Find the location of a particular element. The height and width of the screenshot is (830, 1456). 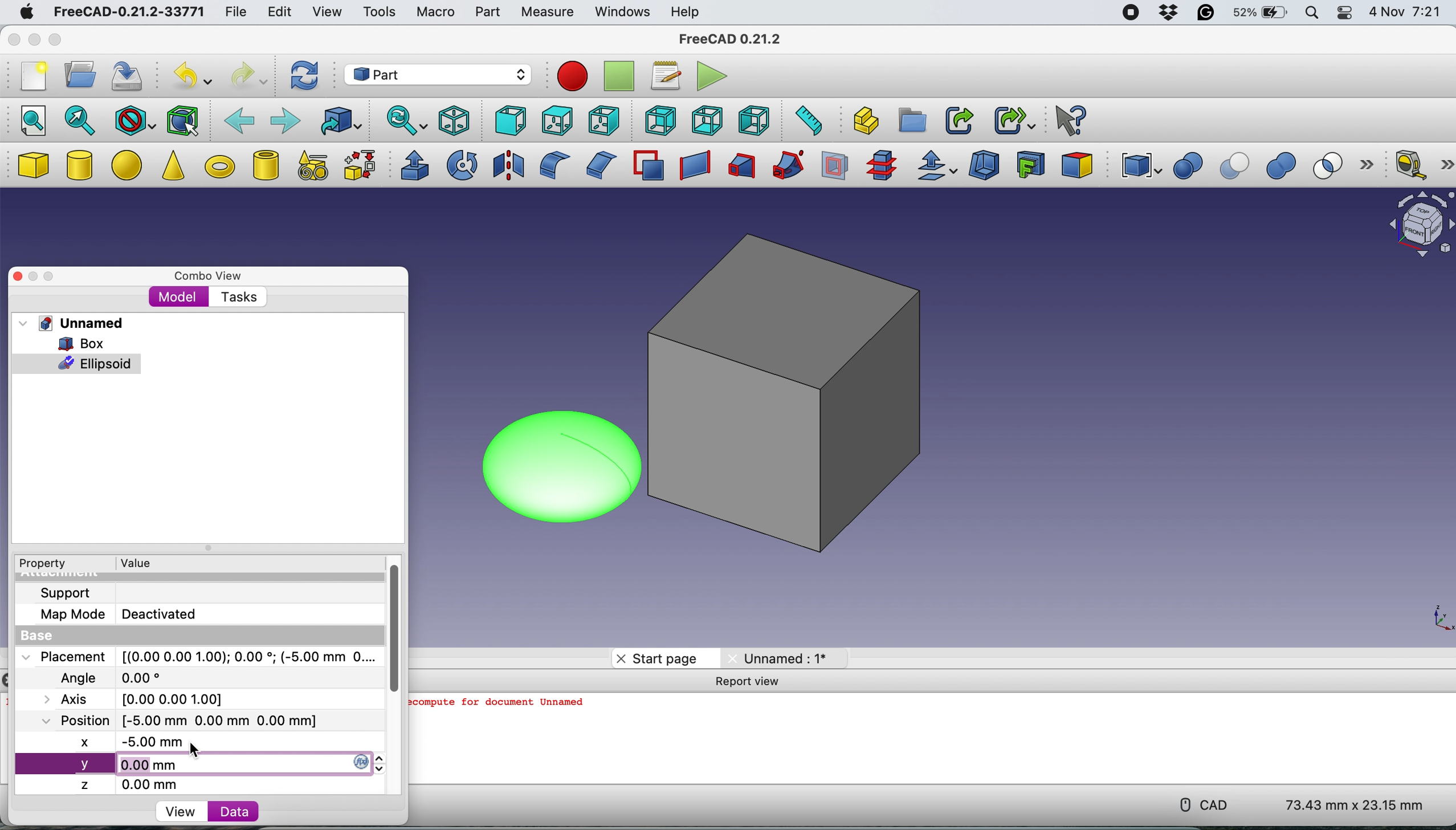

edit is located at coordinates (276, 13).